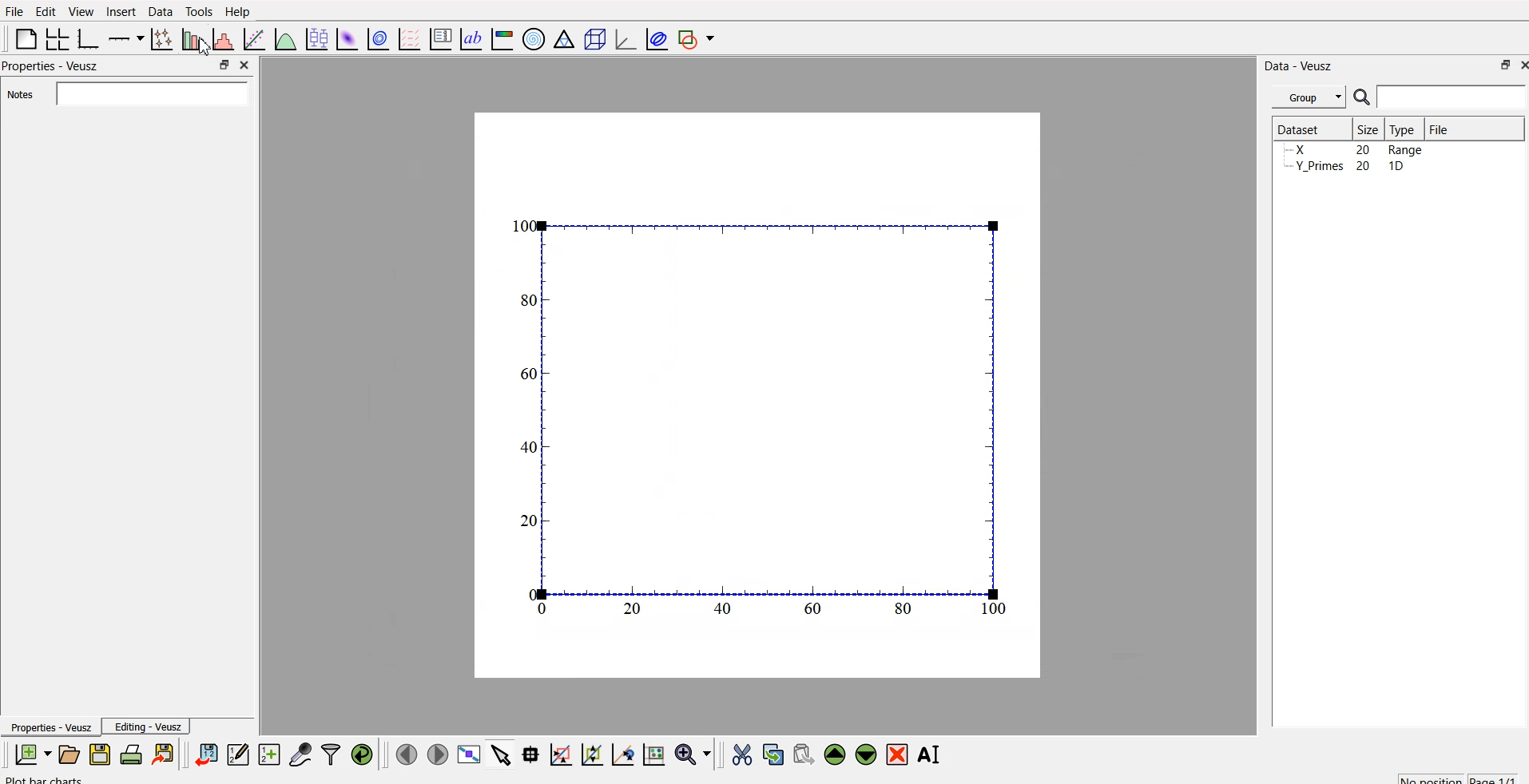 The width and height of the screenshot is (1529, 784). Describe the element at coordinates (1301, 63) in the screenshot. I see `Data - Veusz` at that location.